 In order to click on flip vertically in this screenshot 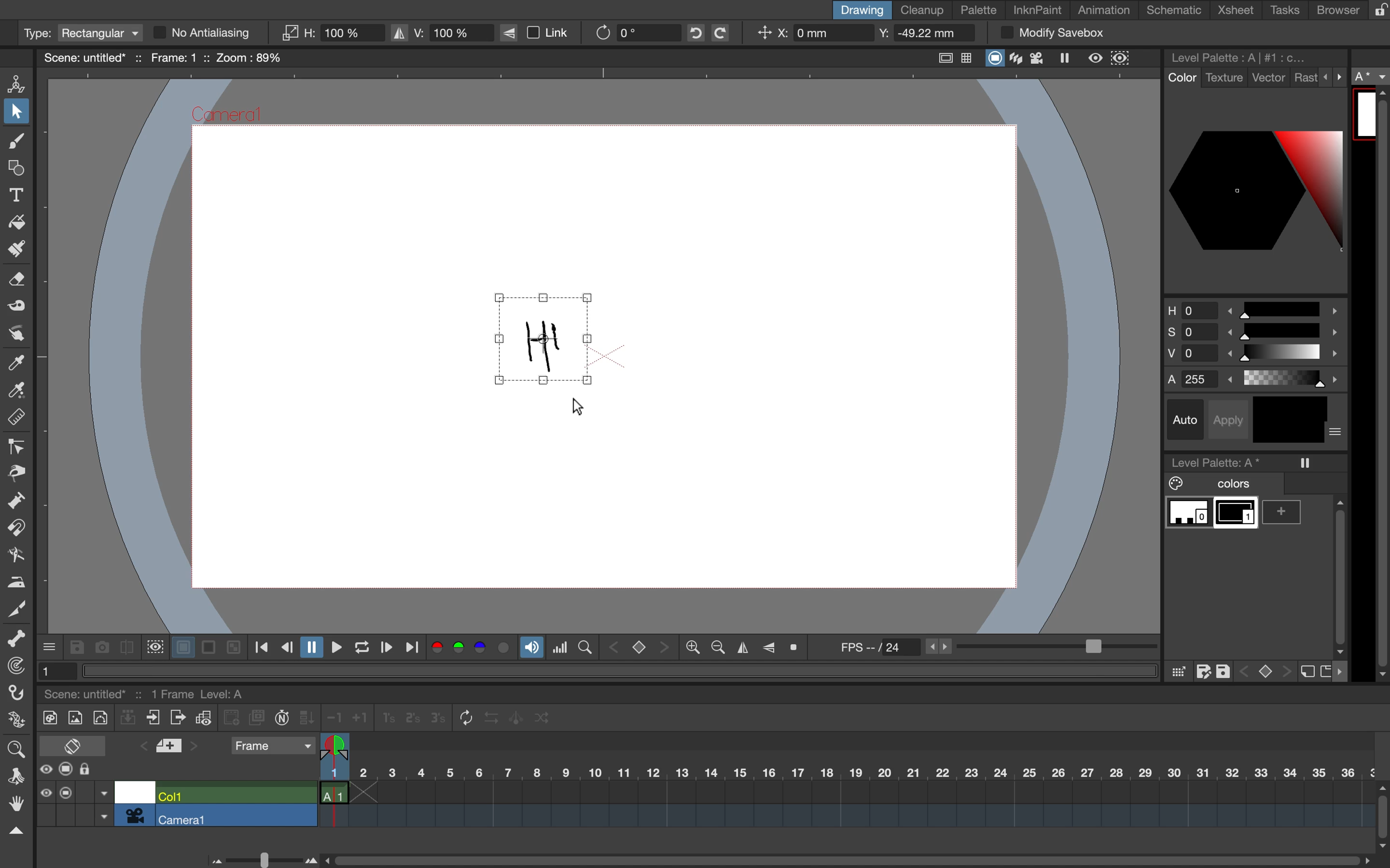, I will do `click(769, 646)`.